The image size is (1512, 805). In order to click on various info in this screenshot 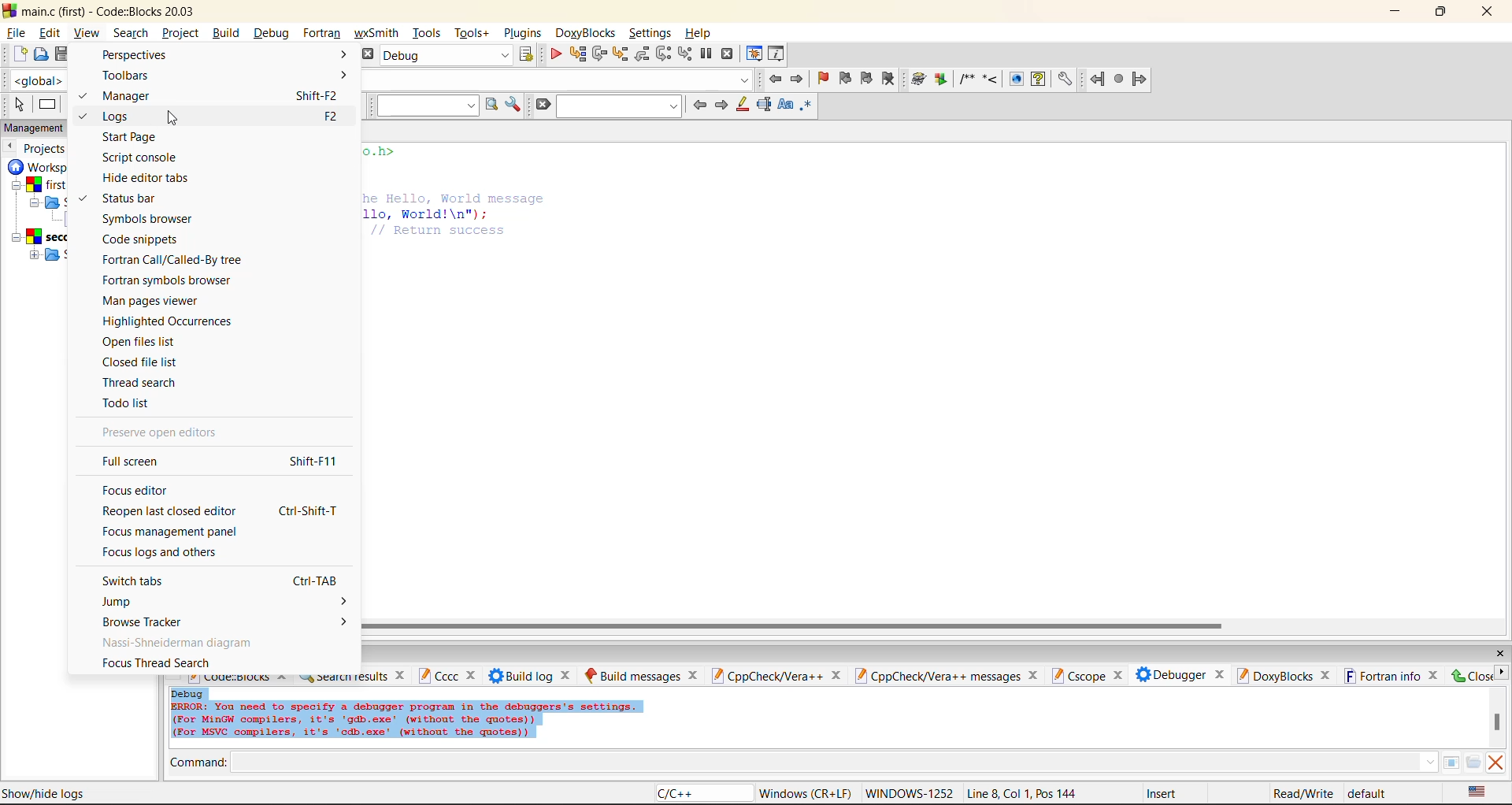, I will do `click(778, 54)`.